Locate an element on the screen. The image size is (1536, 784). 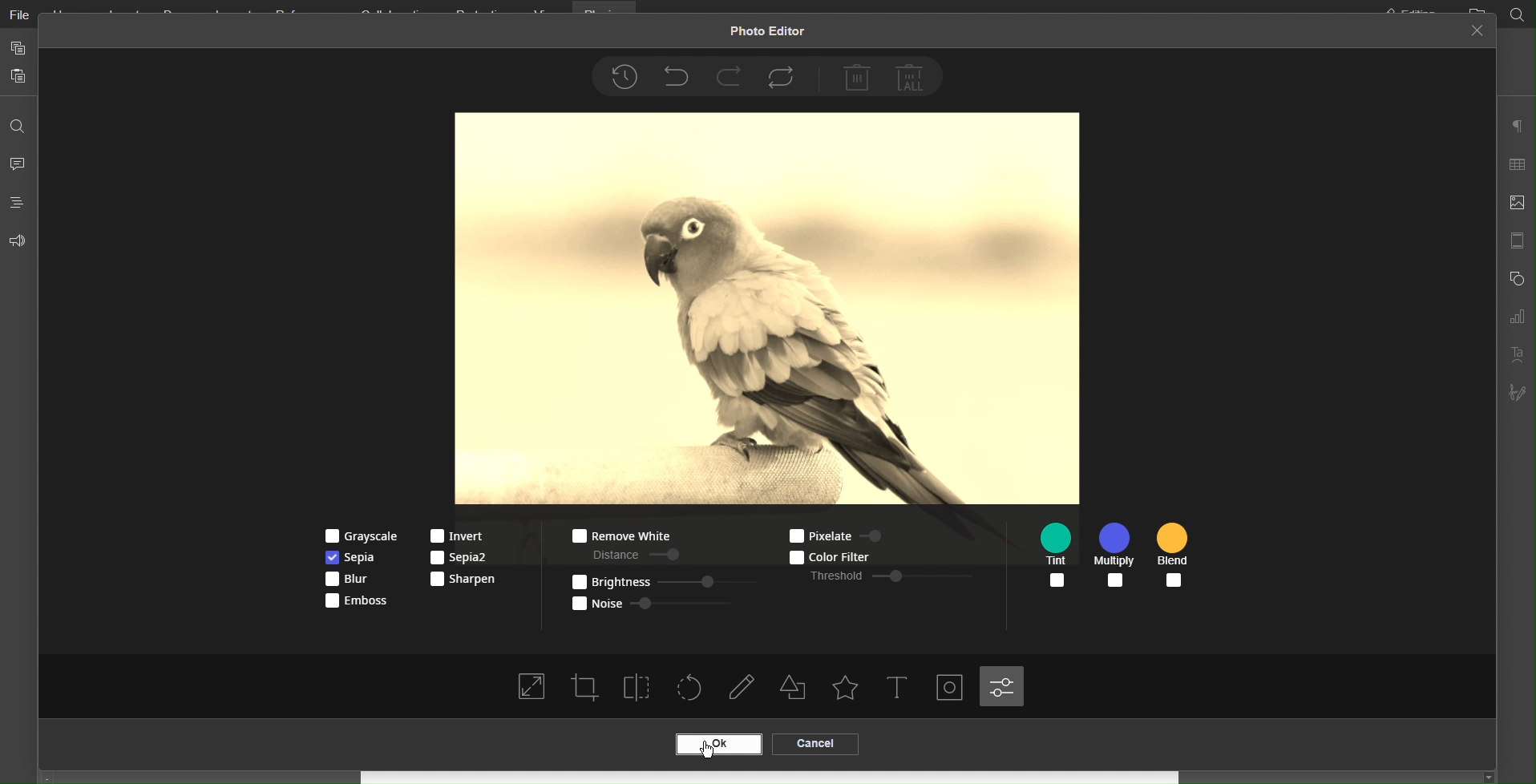
Color filter is located at coordinates (858, 556).